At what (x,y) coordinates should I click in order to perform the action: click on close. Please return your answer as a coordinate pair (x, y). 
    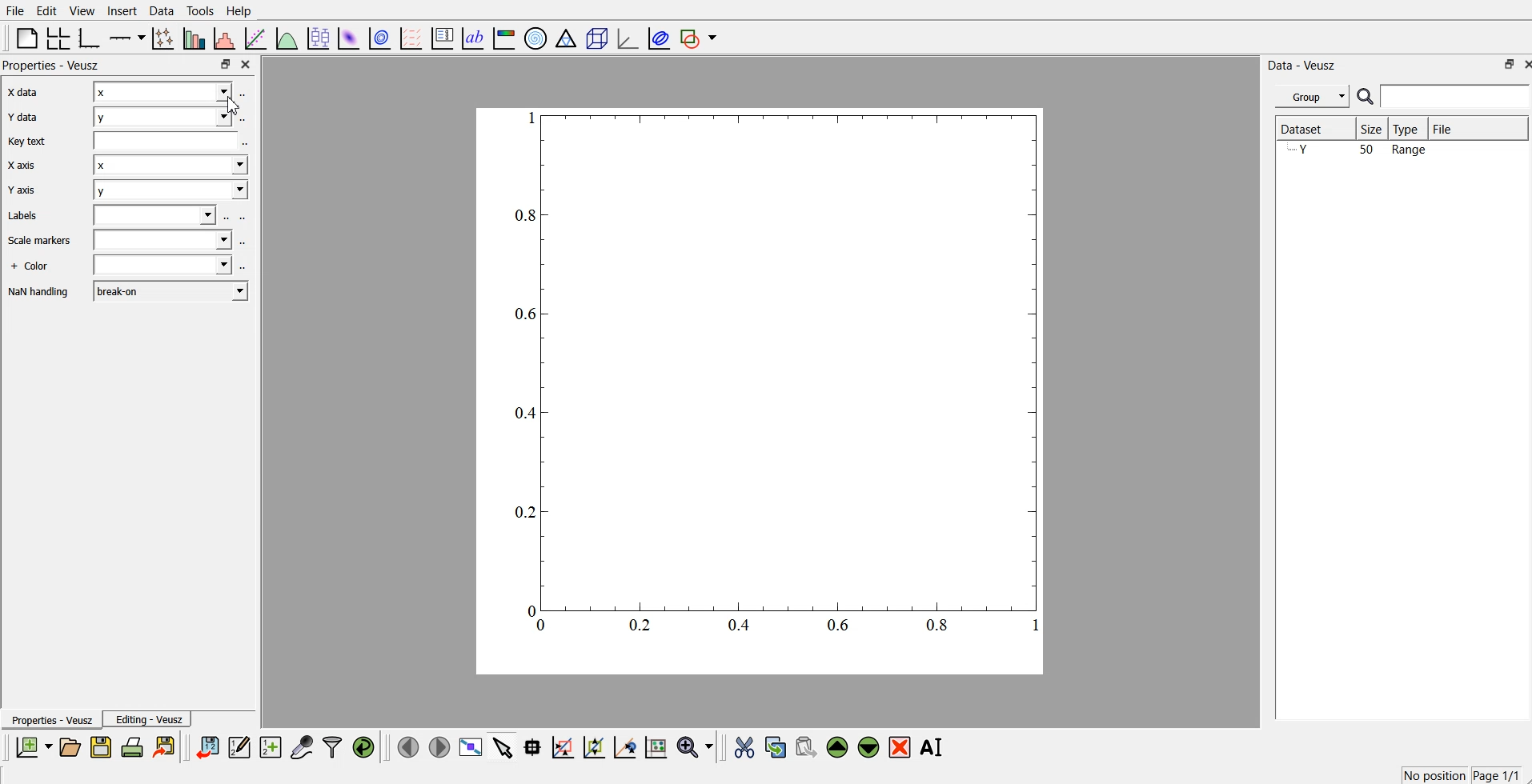
    Looking at the image, I should click on (247, 62).